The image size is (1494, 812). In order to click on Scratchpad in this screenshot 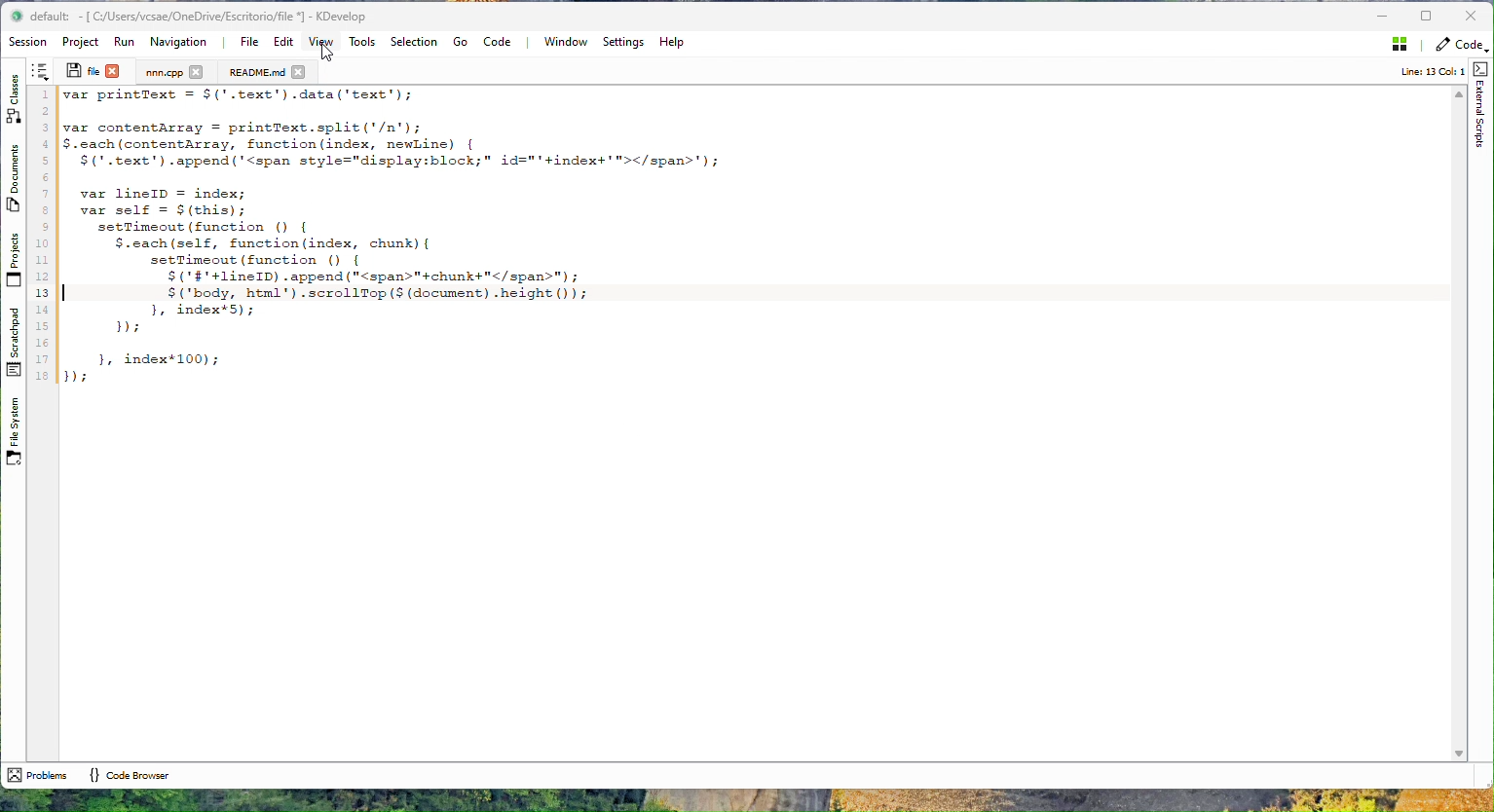, I will do `click(13, 342)`.